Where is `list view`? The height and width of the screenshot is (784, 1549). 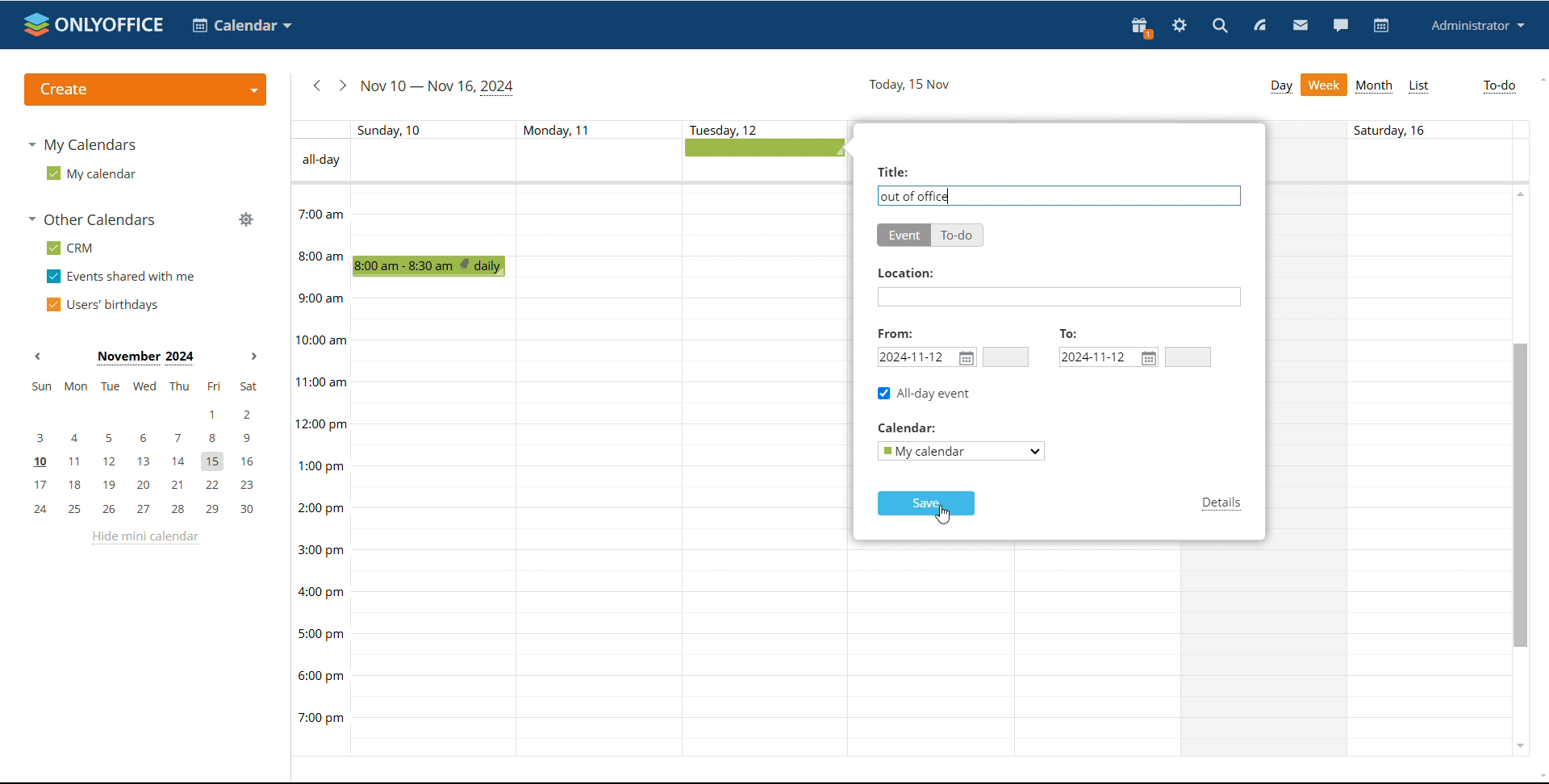
list view is located at coordinates (1420, 86).